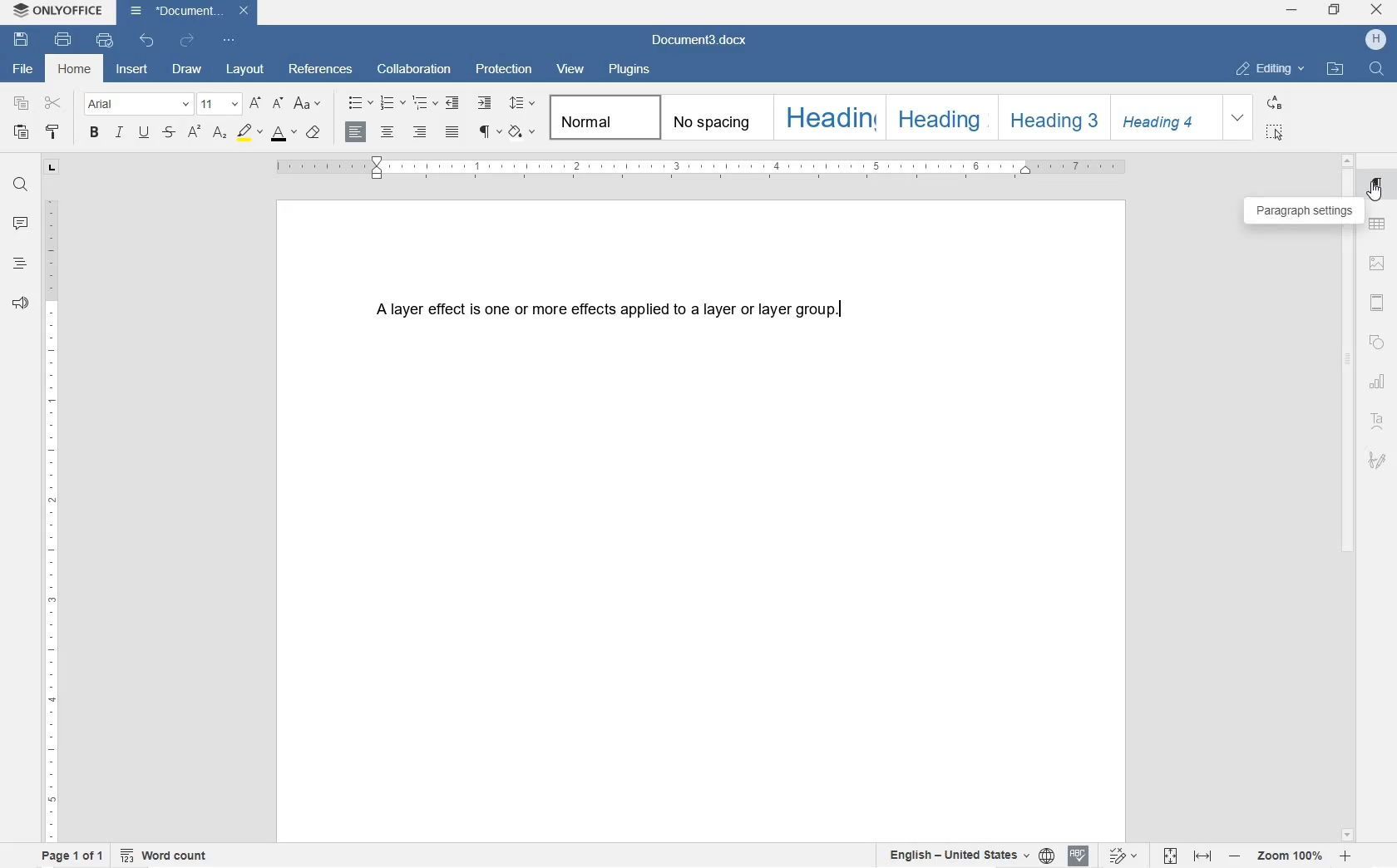 Image resolution: width=1397 pixels, height=868 pixels. I want to click on FEEDBACK & SUPPORT, so click(20, 303).